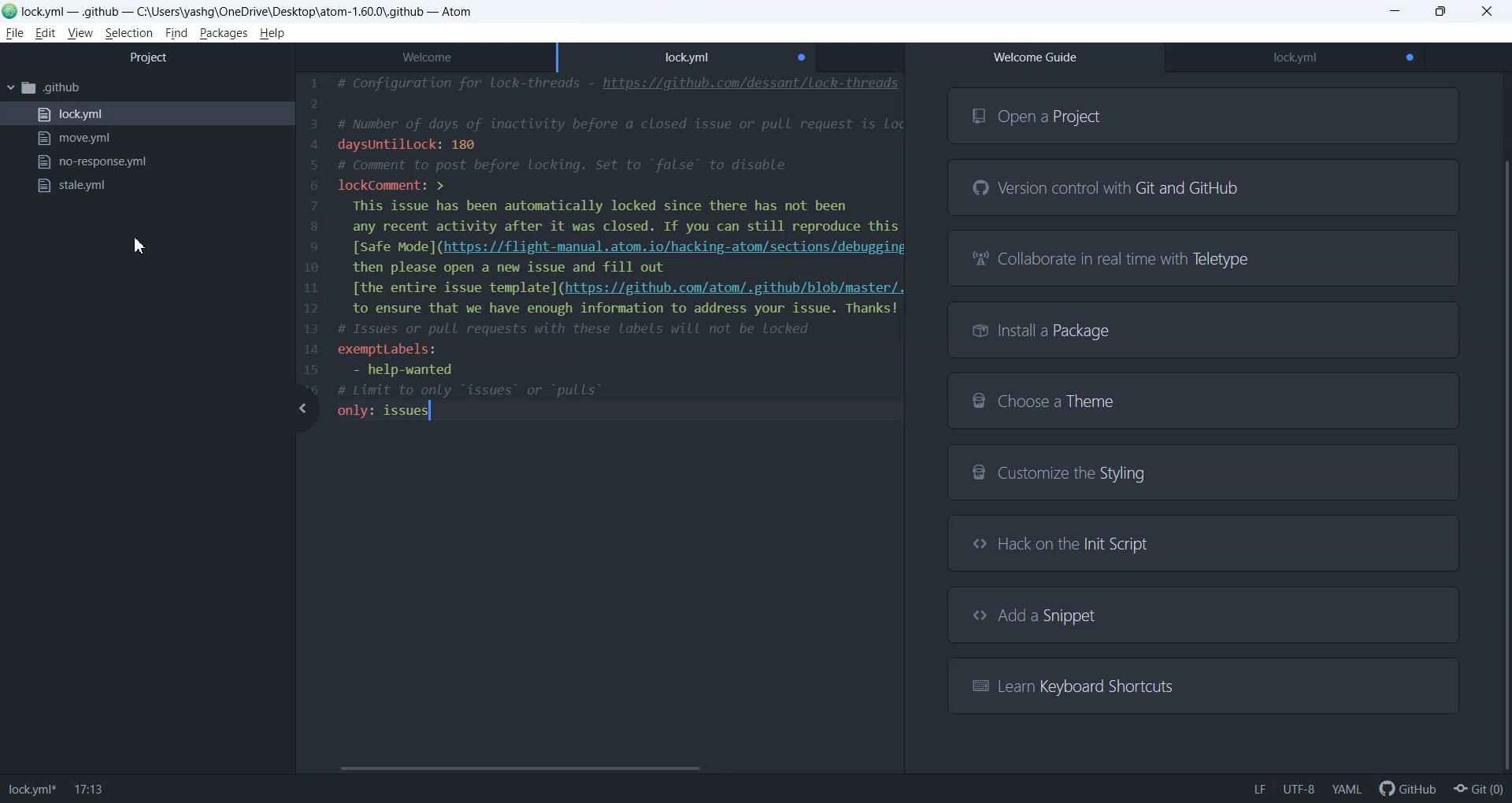  I want to click on Packages, so click(224, 34).